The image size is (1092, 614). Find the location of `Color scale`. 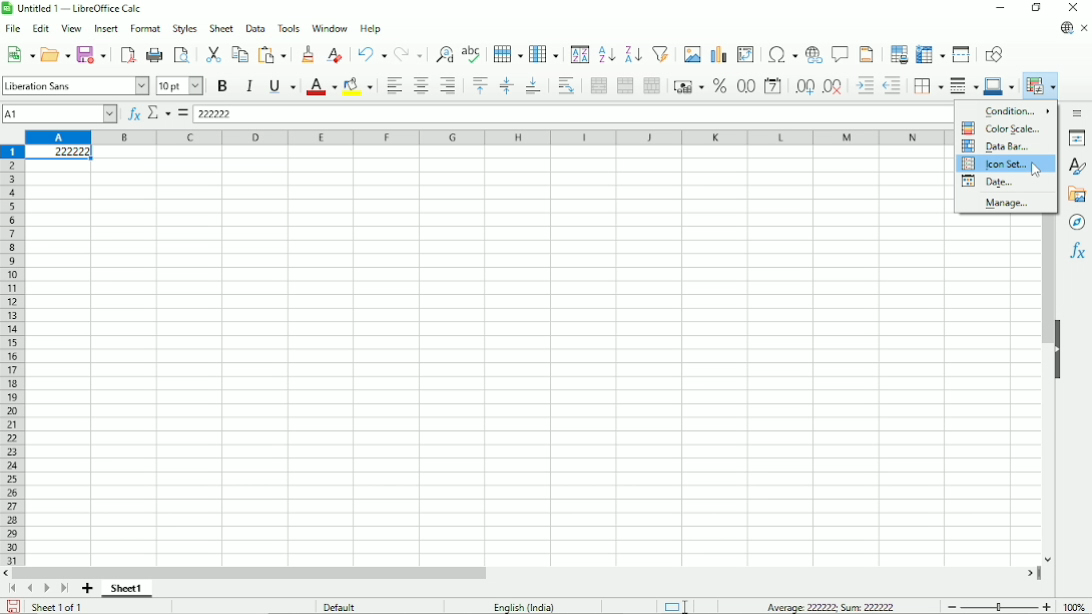

Color scale is located at coordinates (1003, 129).